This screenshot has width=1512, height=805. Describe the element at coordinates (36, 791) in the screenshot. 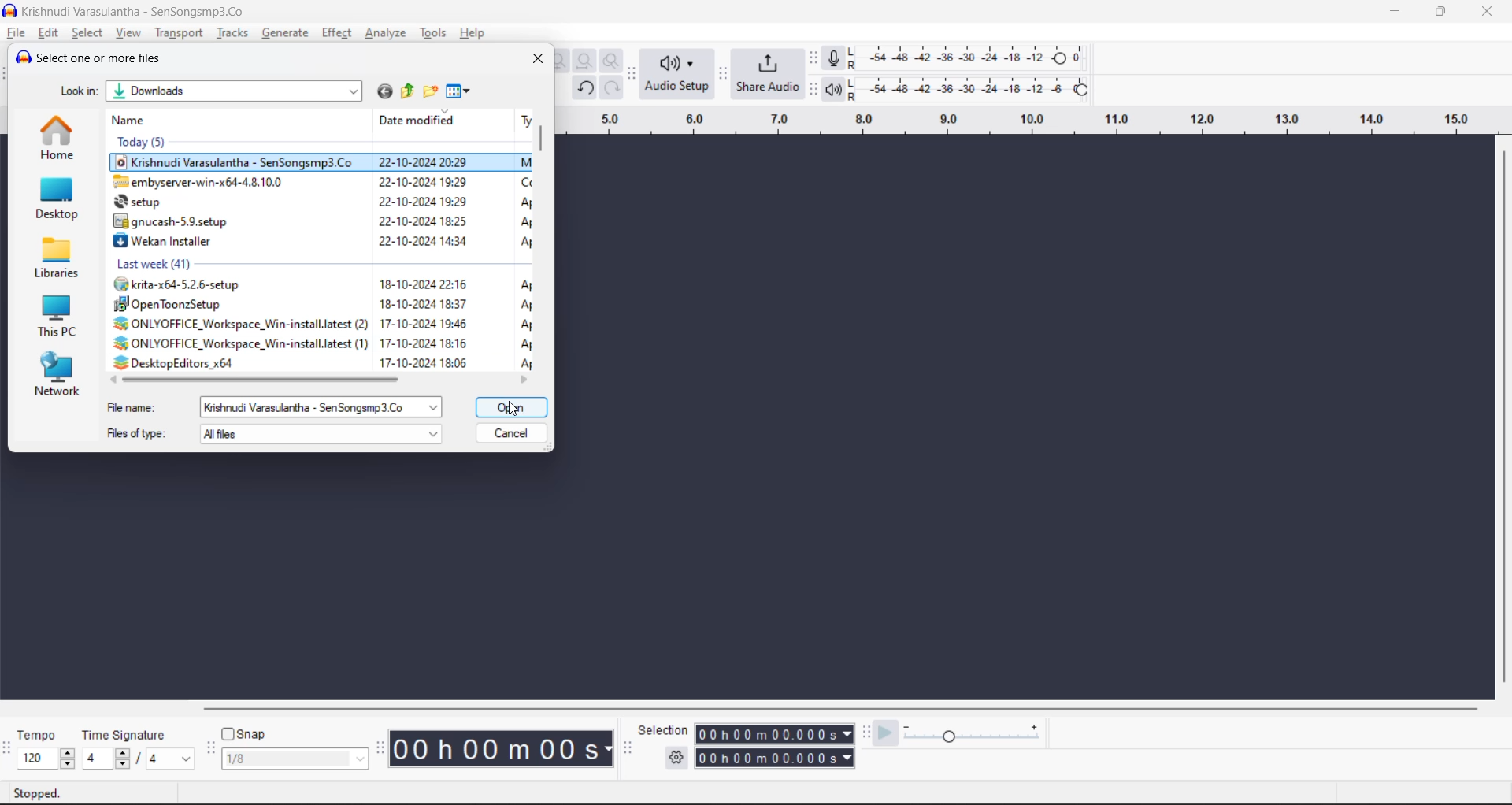

I see `playback status` at that location.